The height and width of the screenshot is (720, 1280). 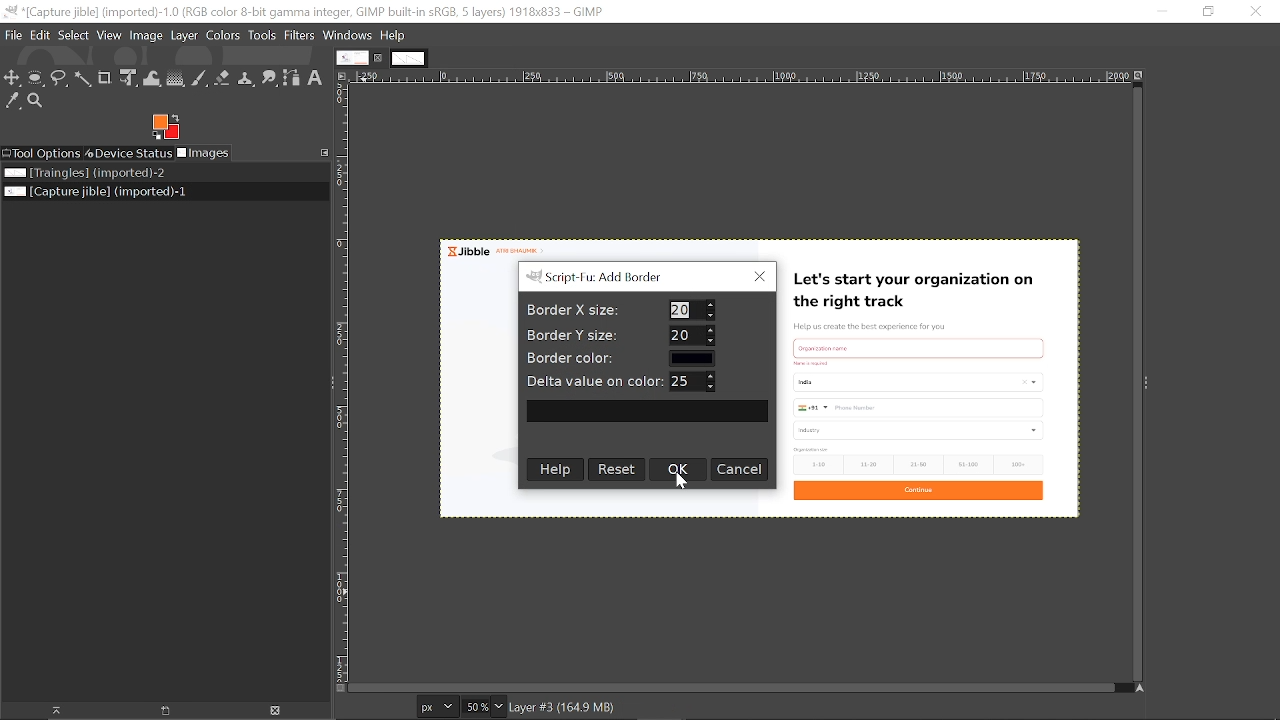 What do you see at coordinates (692, 358) in the screenshot?
I see `Border color` at bounding box center [692, 358].